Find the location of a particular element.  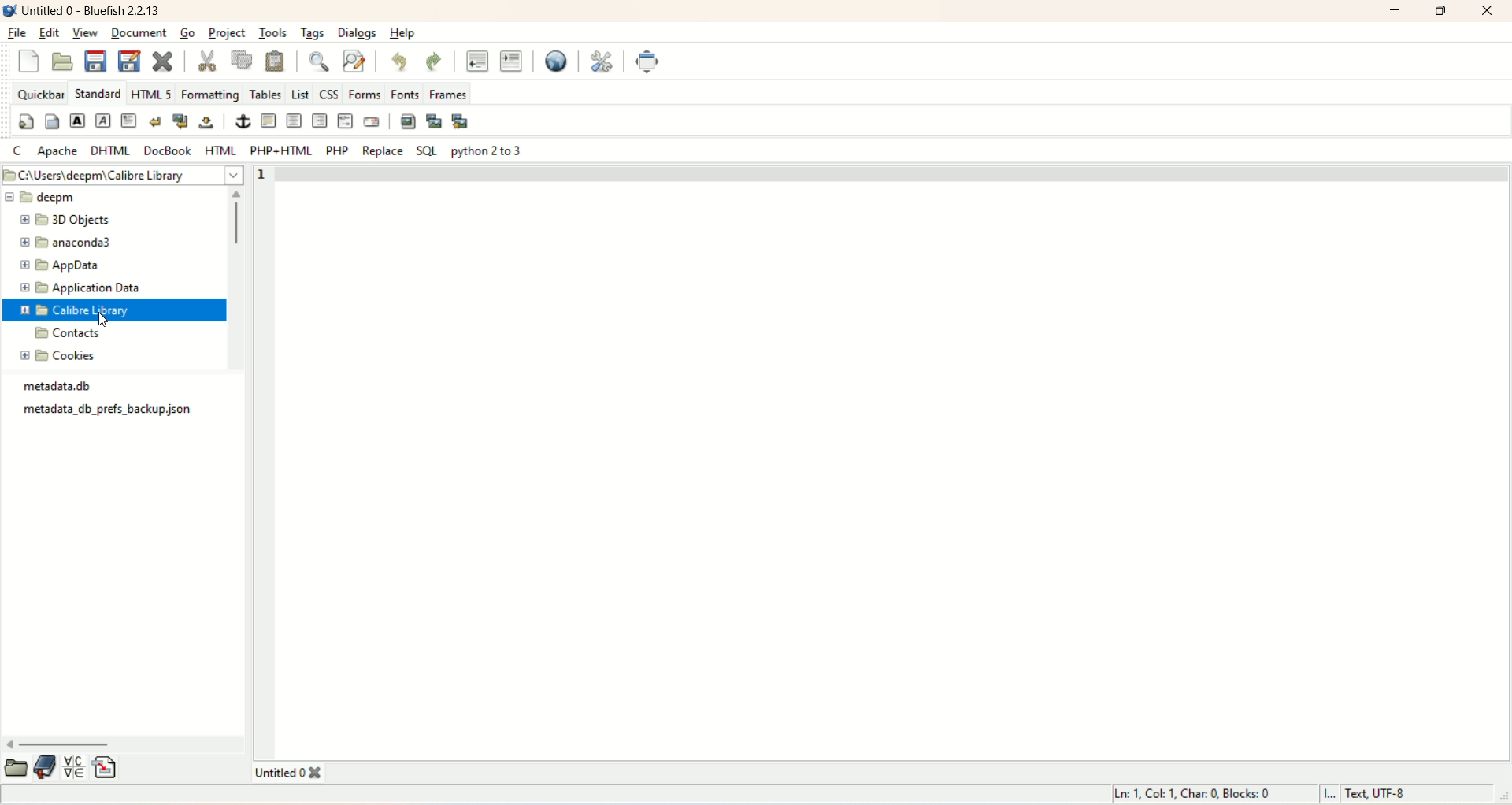

help is located at coordinates (401, 35).